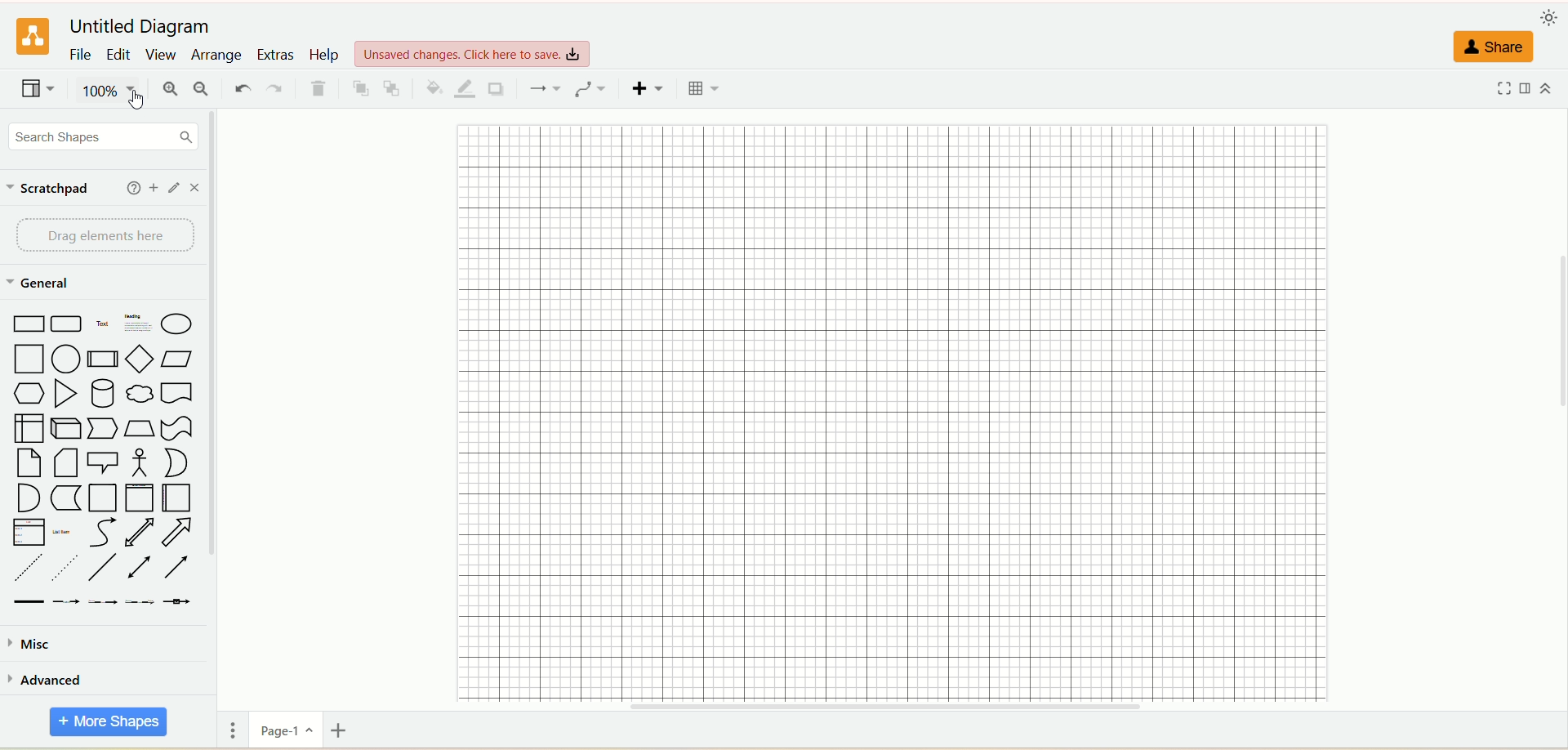 This screenshot has height=750, width=1568. I want to click on drag elements, so click(105, 239).